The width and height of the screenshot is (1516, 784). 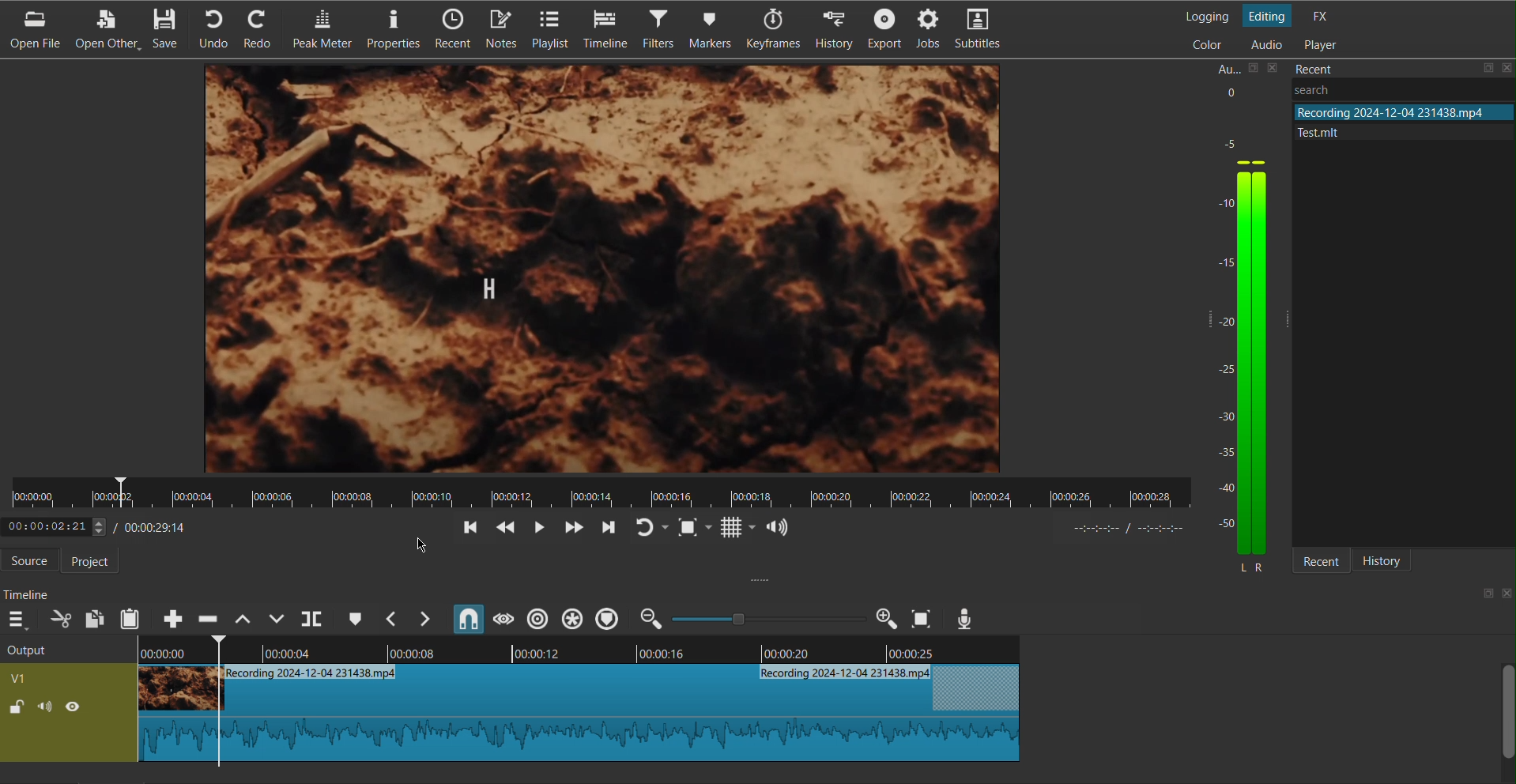 I want to click on cursor, so click(x=419, y=544).